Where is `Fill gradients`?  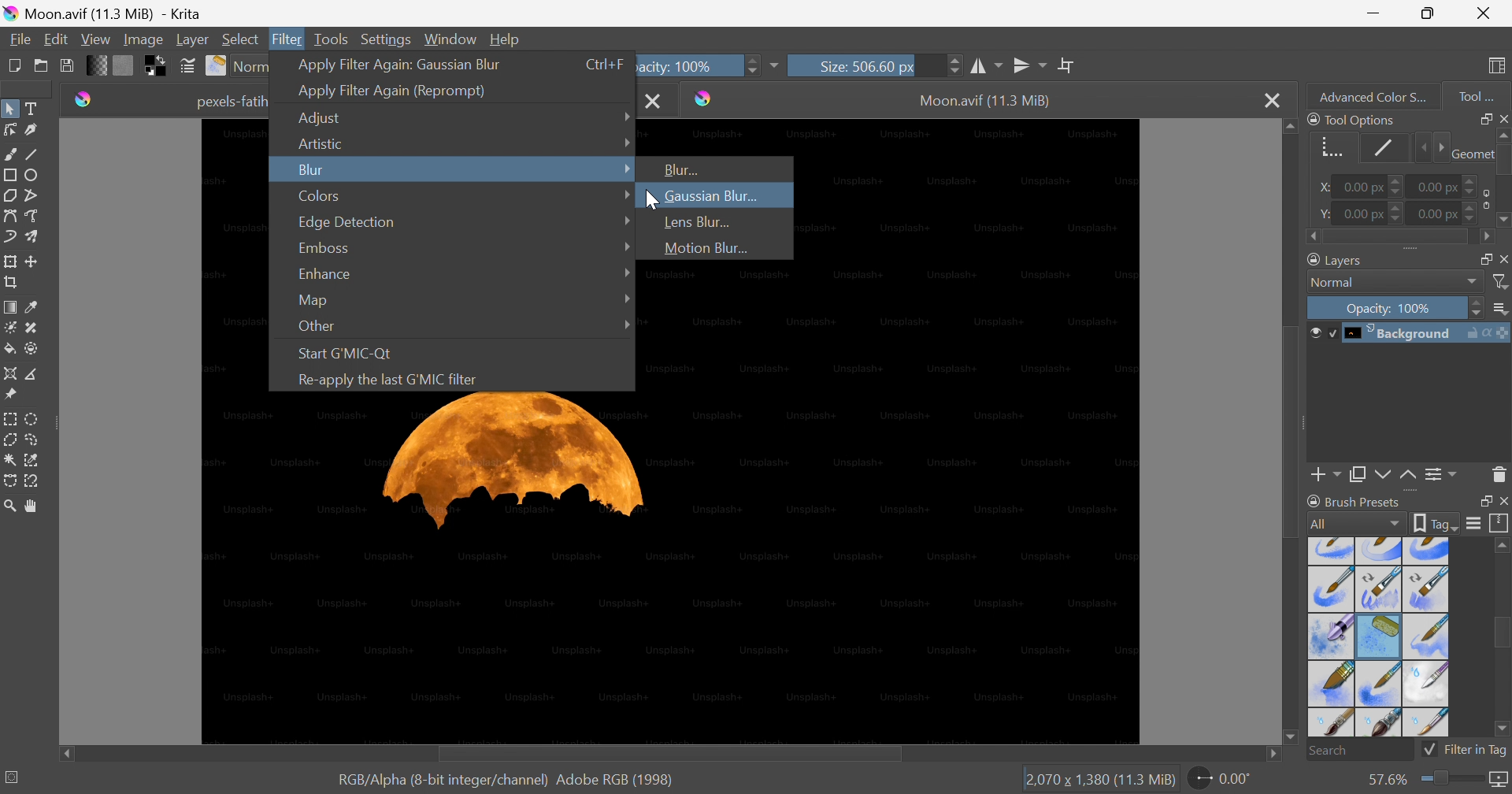
Fill gradients is located at coordinates (94, 65).